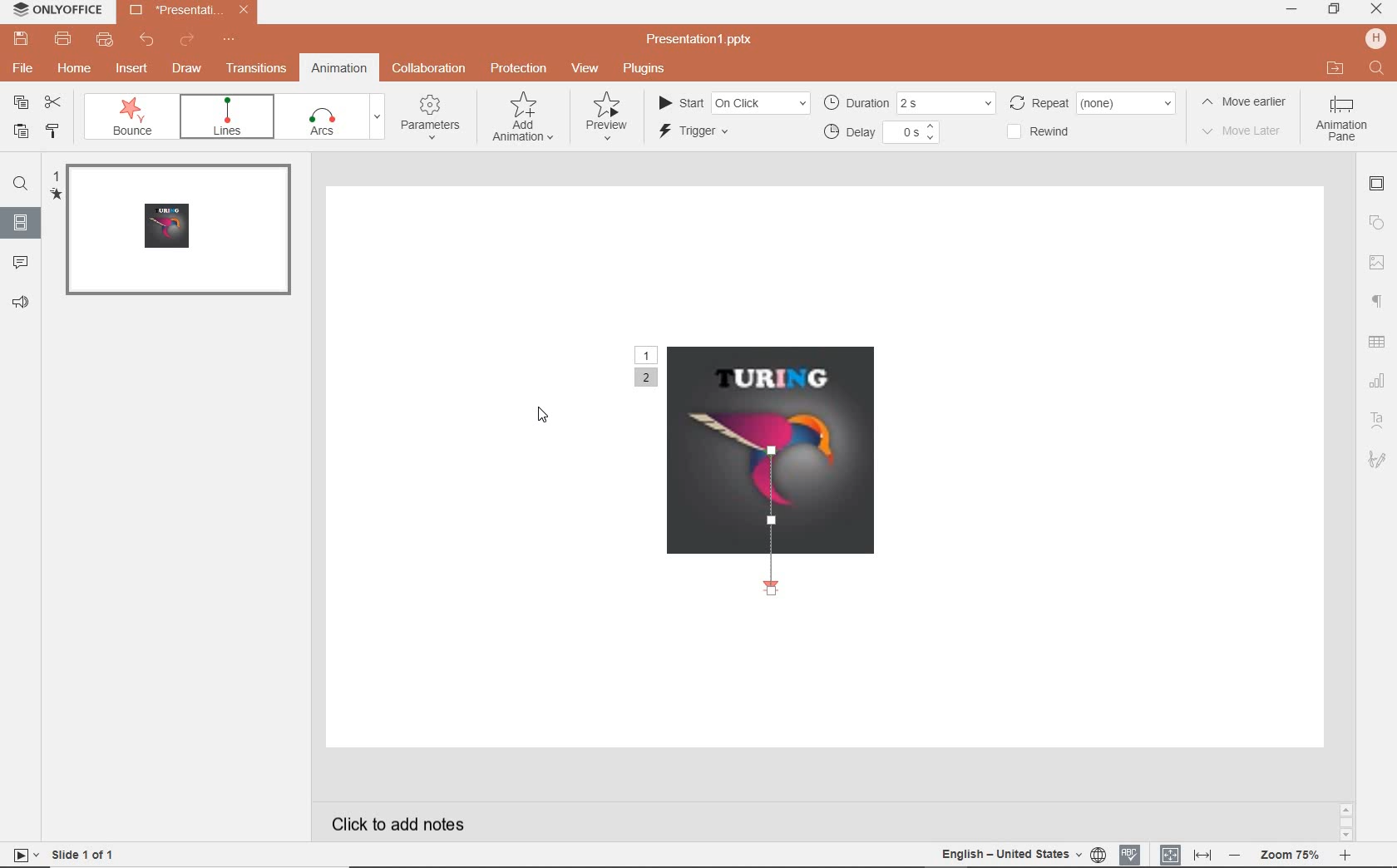  Describe the element at coordinates (320, 117) in the screenshot. I see `pulse` at that location.